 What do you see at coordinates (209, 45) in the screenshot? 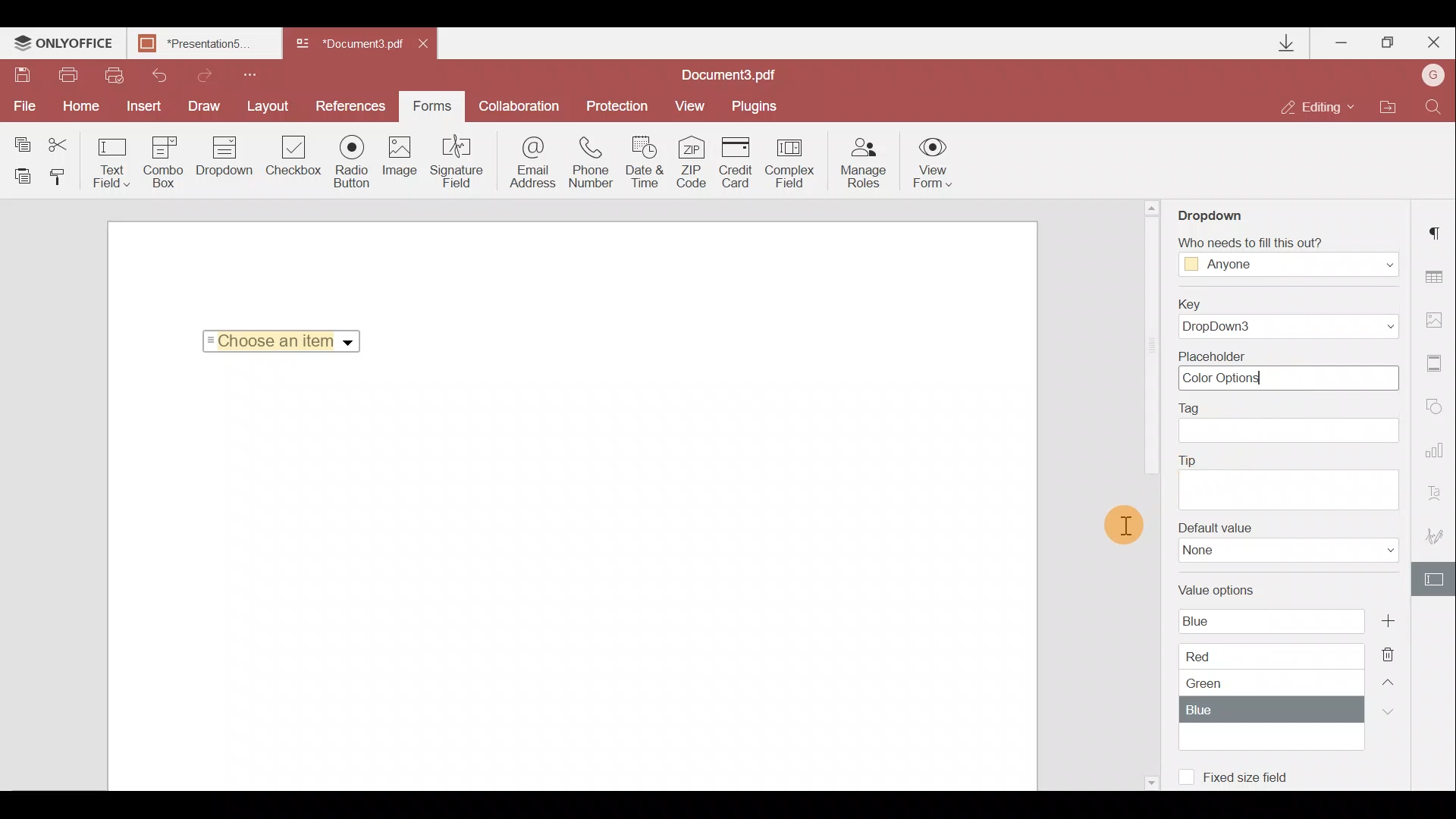
I see `Document name` at bounding box center [209, 45].